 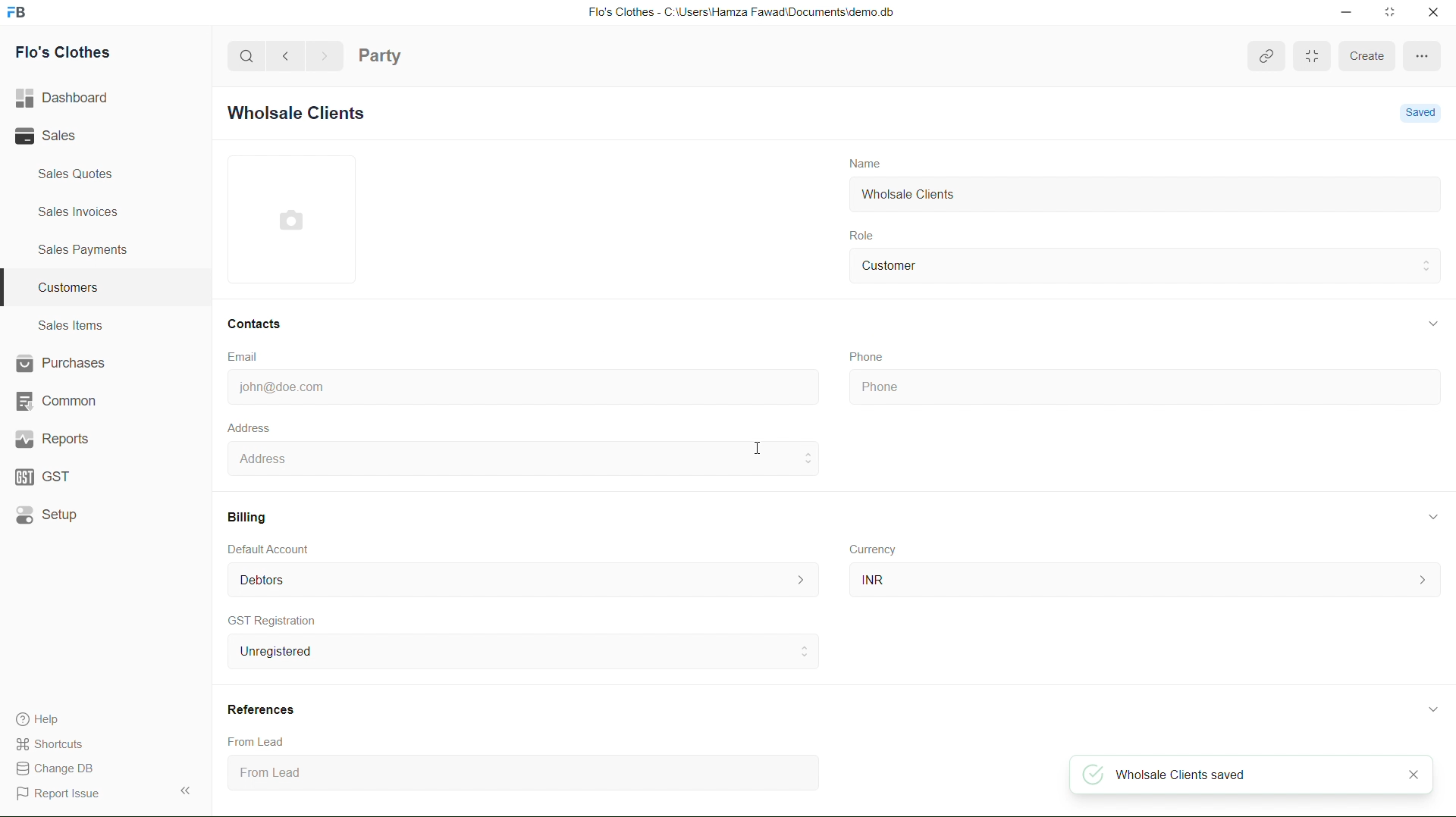 I want to click on search, so click(x=243, y=55).